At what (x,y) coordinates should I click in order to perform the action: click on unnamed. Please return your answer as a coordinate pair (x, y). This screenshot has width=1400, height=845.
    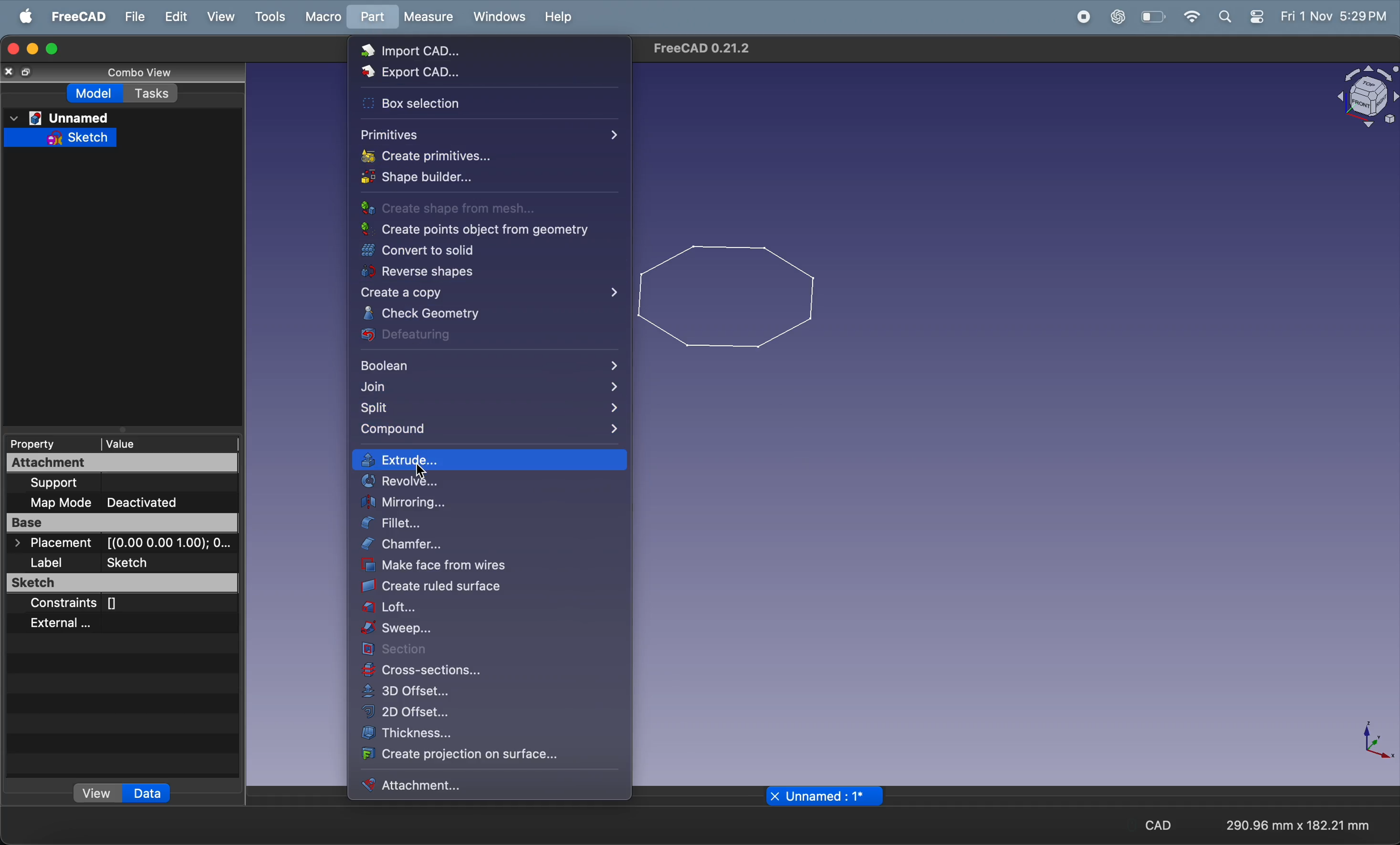
    Looking at the image, I should click on (60, 115).